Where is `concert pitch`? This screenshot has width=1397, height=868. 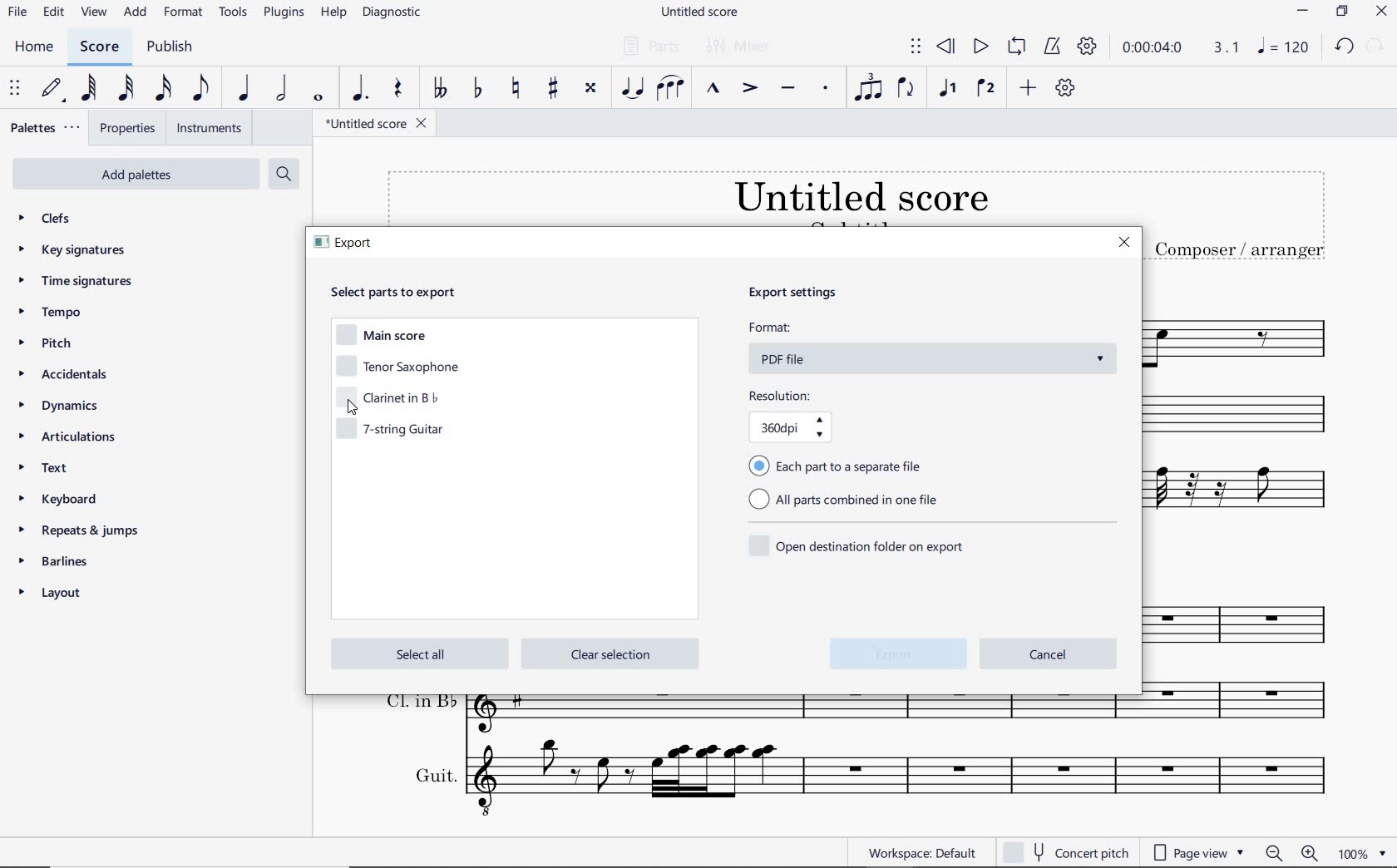
concert pitch is located at coordinates (1068, 853).